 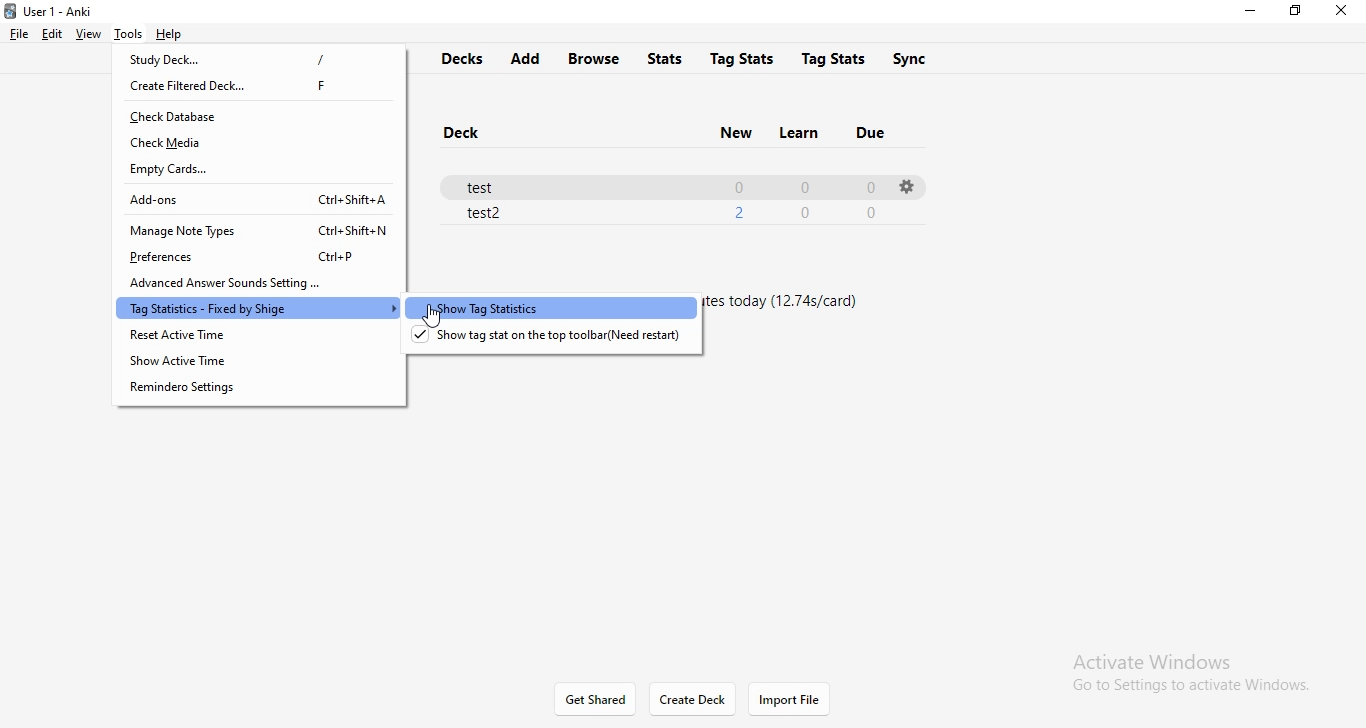 What do you see at coordinates (259, 200) in the screenshot?
I see `add ons` at bounding box center [259, 200].